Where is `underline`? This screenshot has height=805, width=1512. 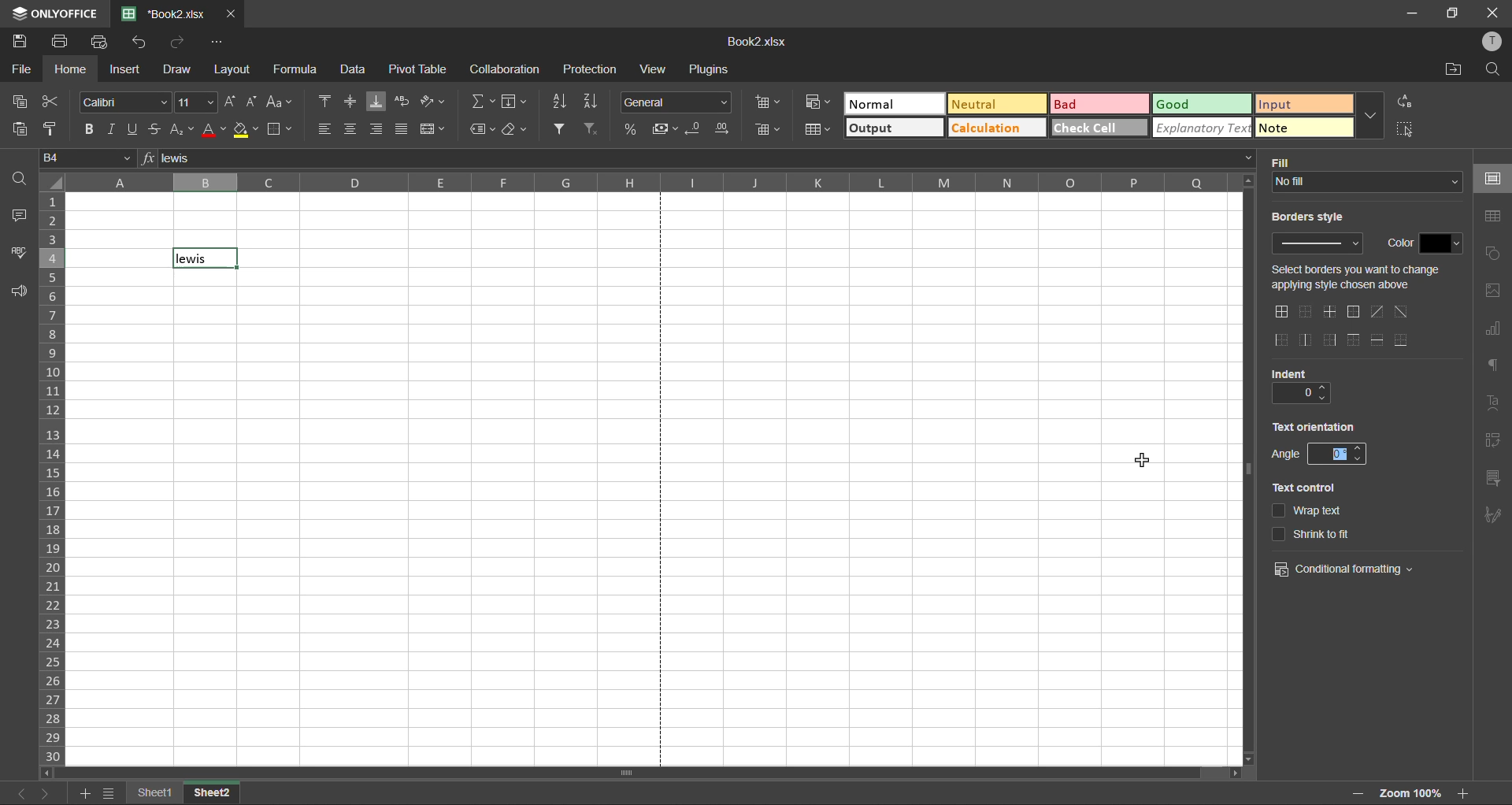
underline is located at coordinates (133, 130).